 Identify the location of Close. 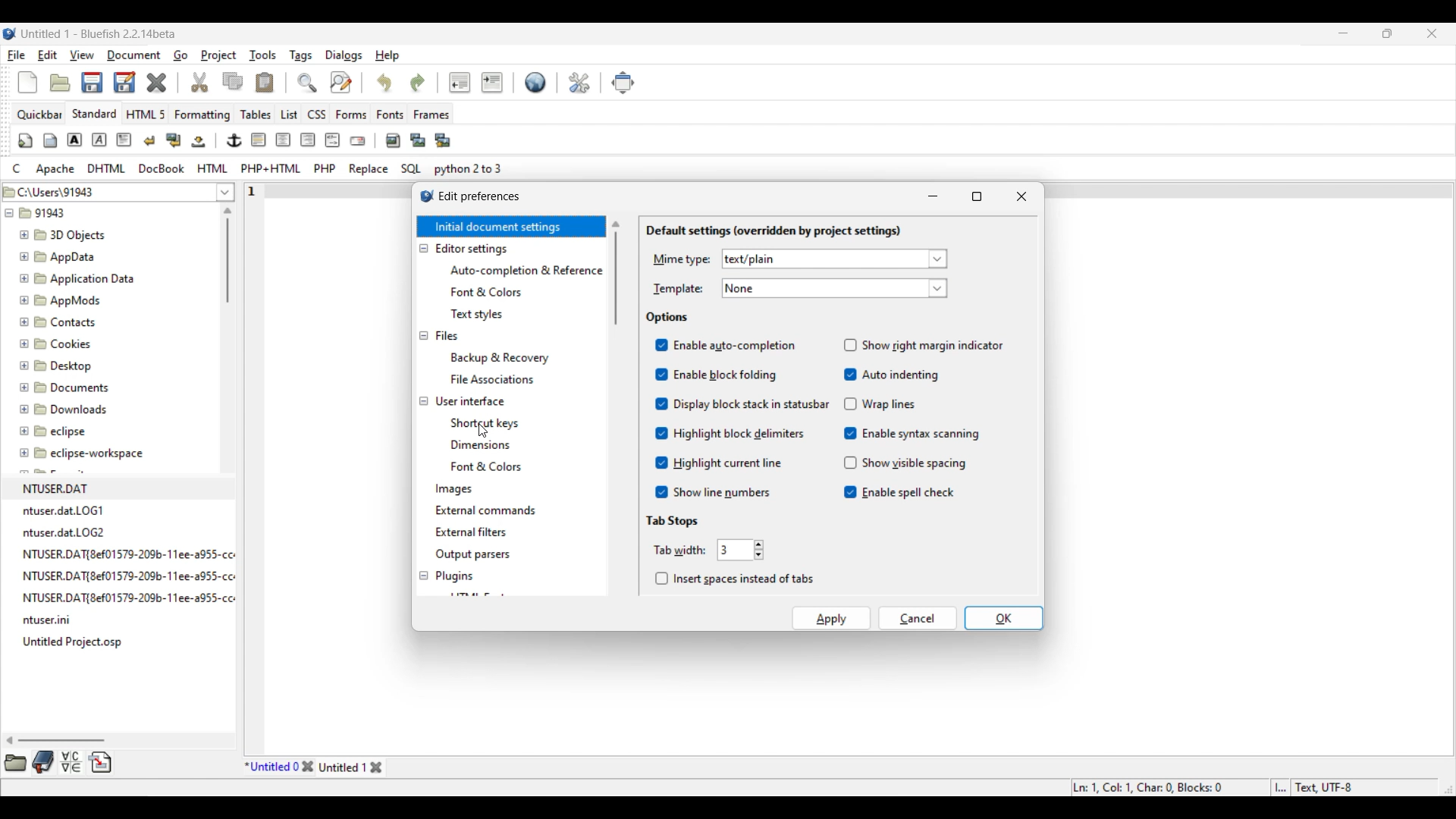
(156, 83).